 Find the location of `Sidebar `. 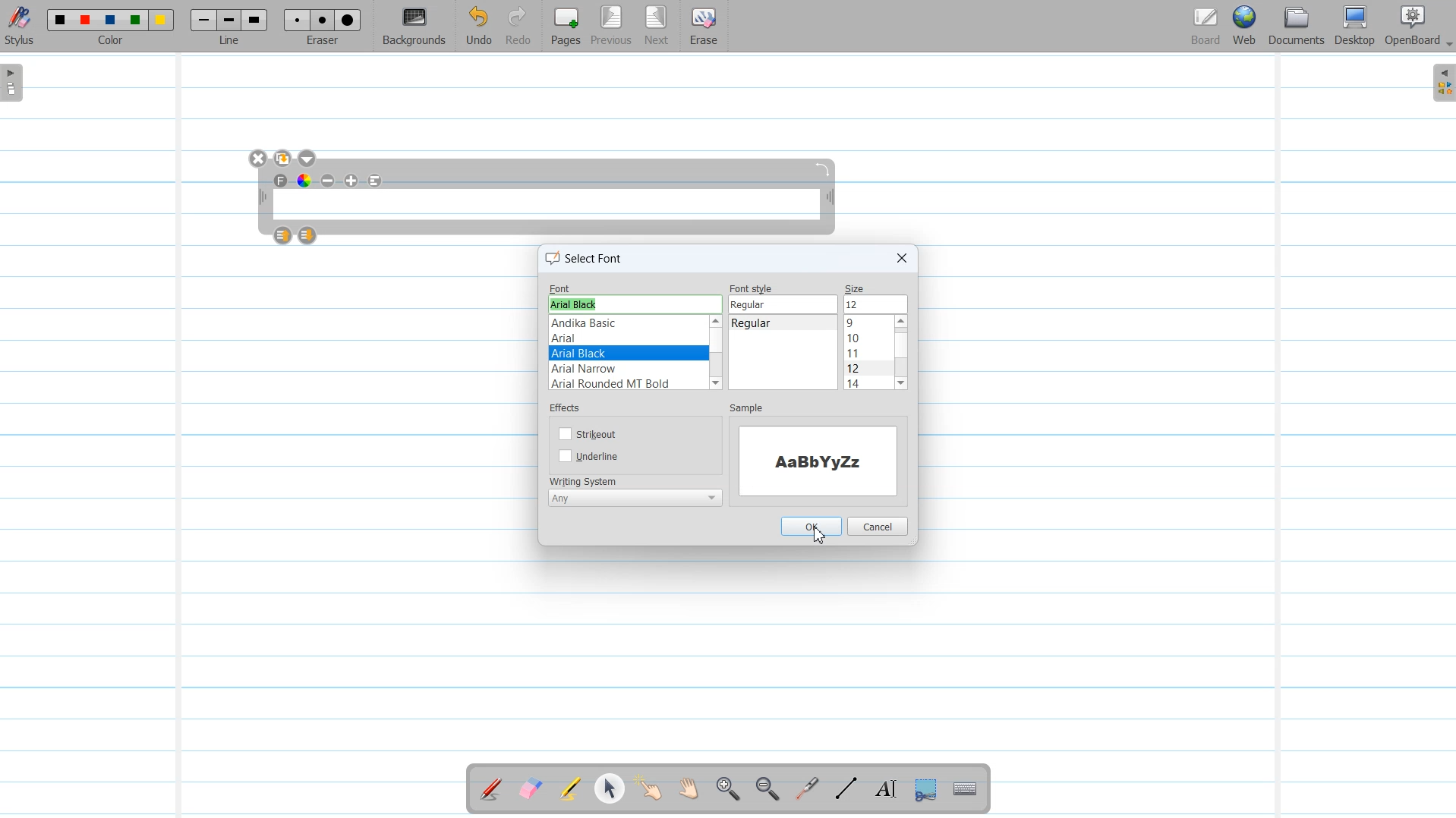

Sidebar  is located at coordinates (1441, 83).